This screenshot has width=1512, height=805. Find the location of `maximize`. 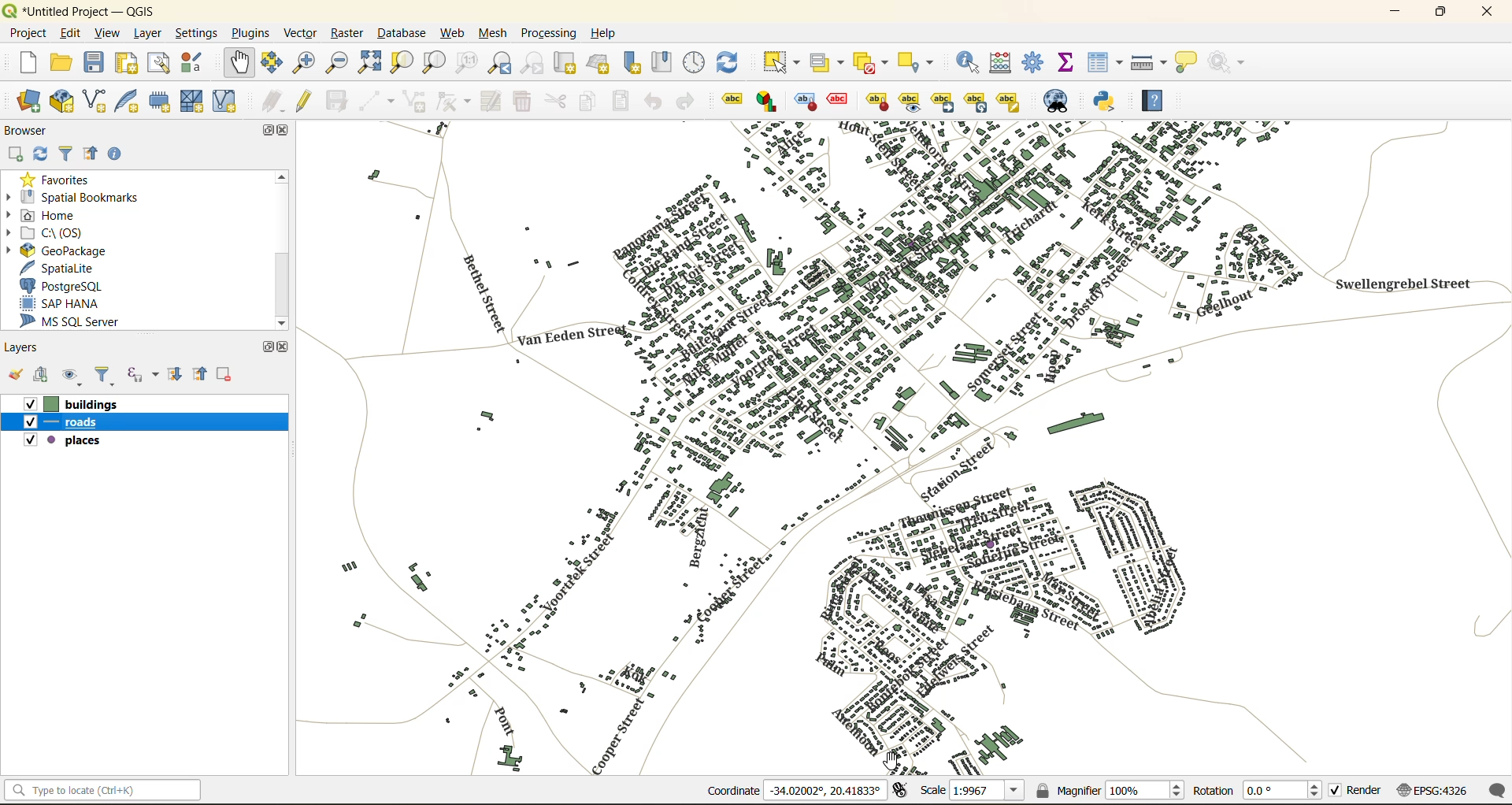

maximize is located at coordinates (1440, 15).